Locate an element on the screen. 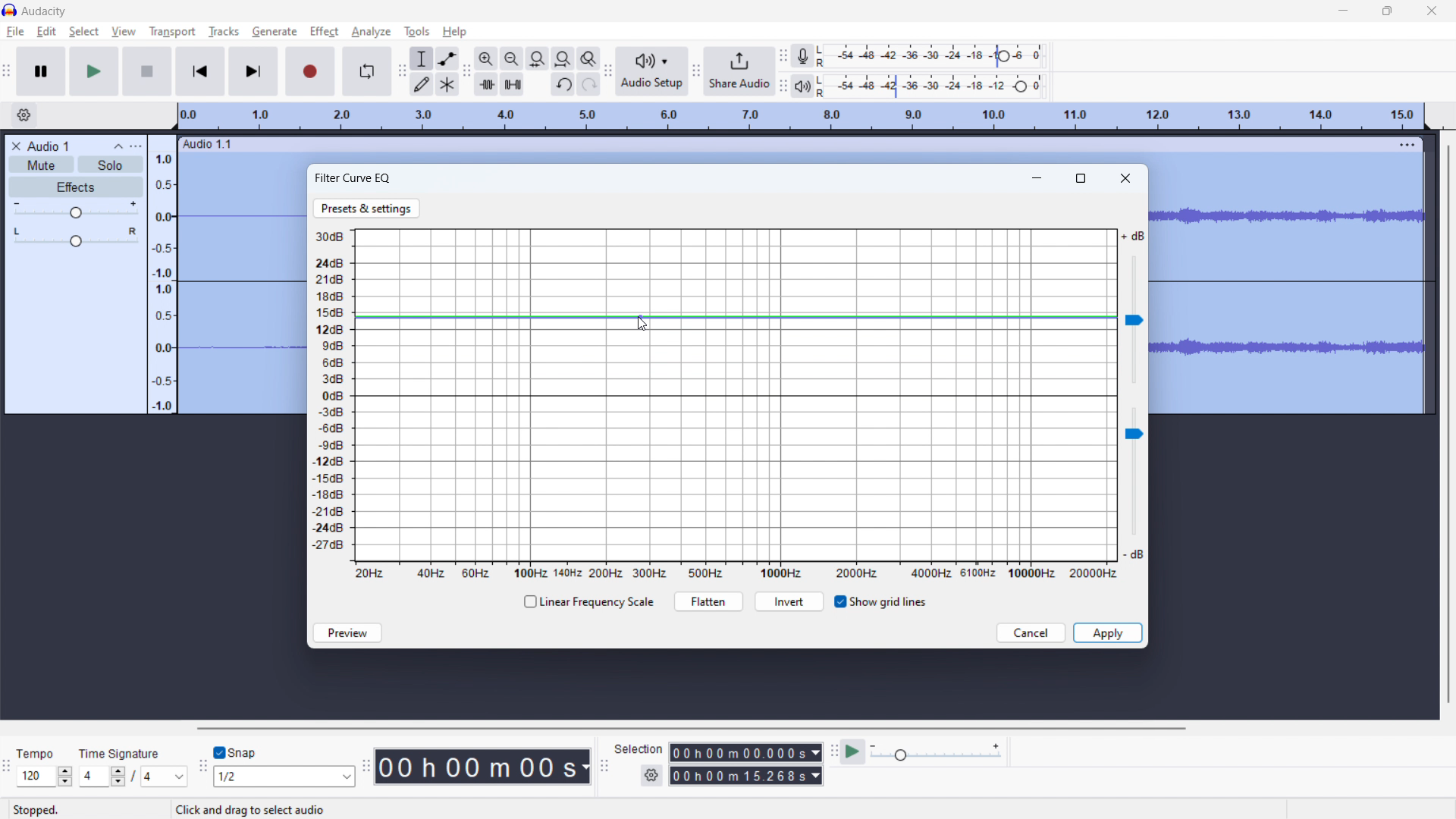 Image resolution: width=1456 pixels, height=819 pixels. cursor is located at coordinates (642, 325).